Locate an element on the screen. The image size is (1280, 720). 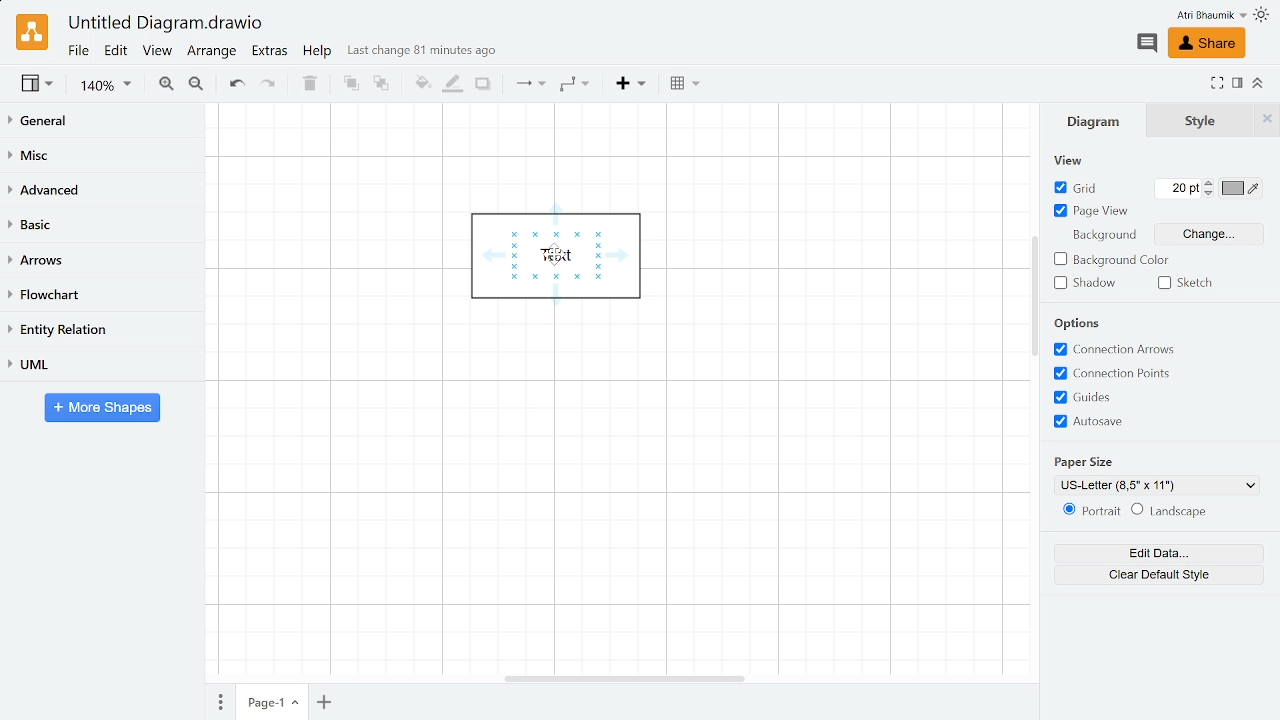
Decrease grid pt is located at coordinates (1211, 193).